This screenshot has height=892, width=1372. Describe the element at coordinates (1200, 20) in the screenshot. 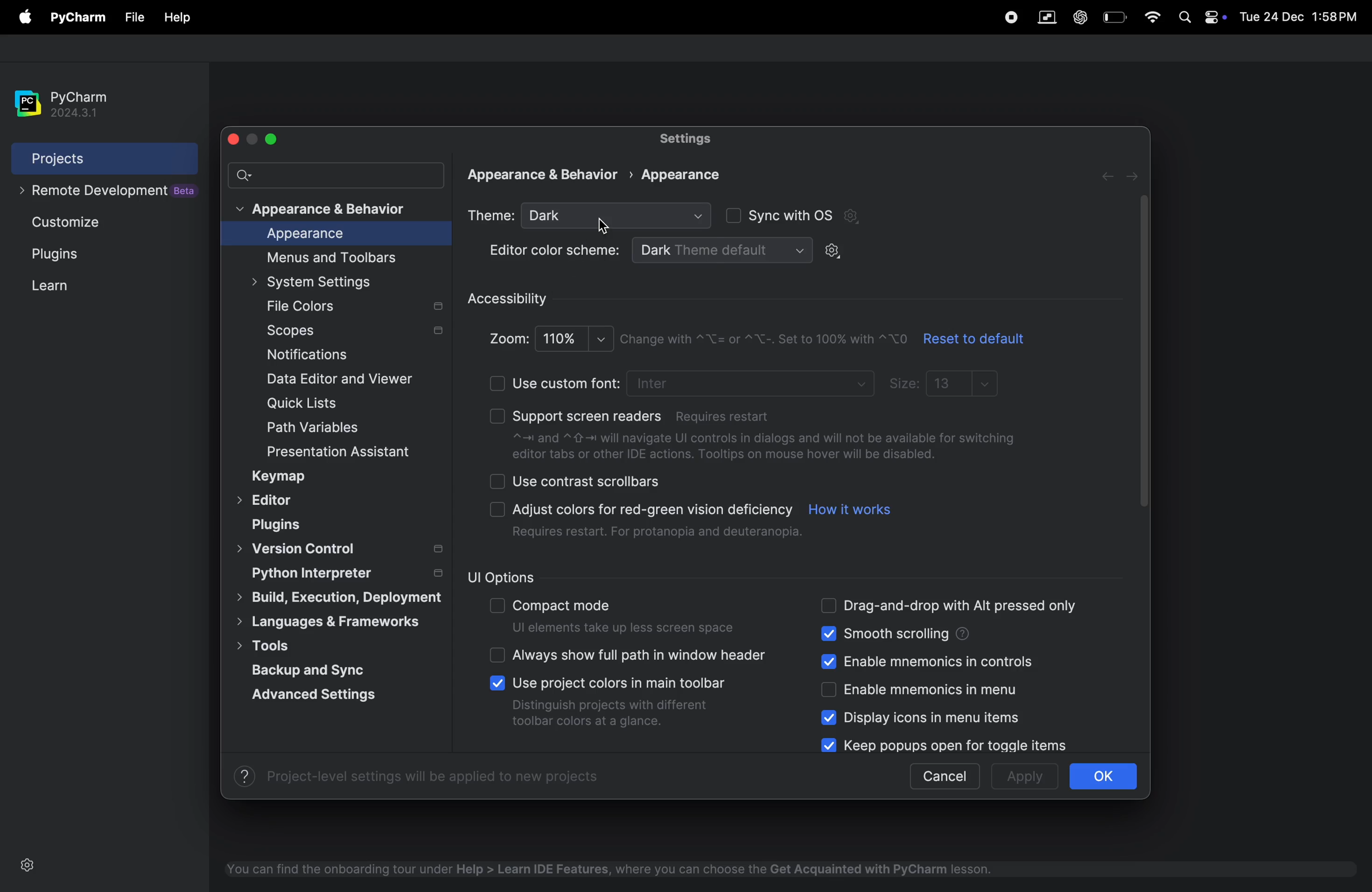

I see `apple widgets` at that location.